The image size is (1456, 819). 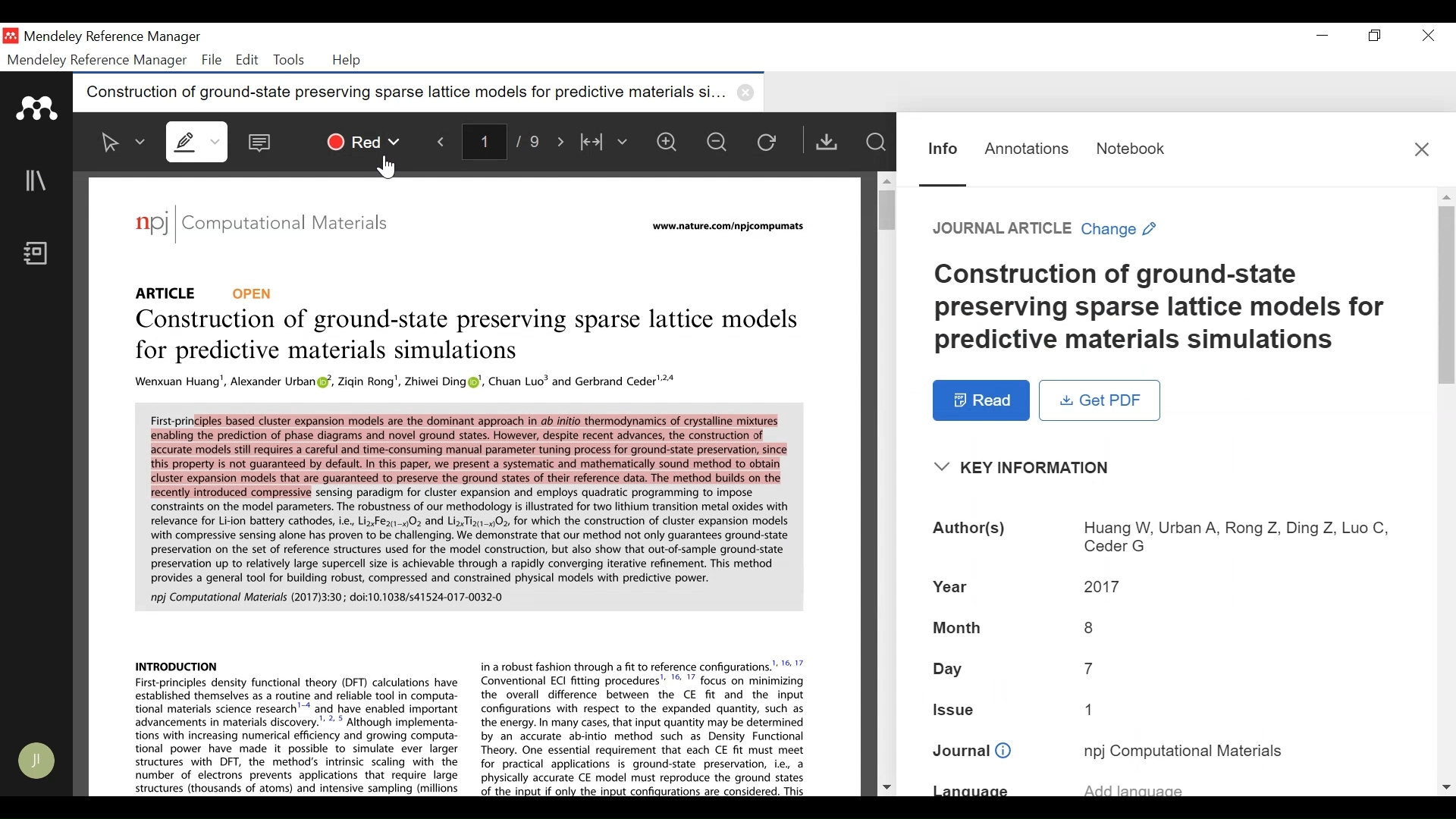 What do you see at coordinates (831, 141) in the screenshot?
I see `Get PDF` at bounding box center [831, 141].